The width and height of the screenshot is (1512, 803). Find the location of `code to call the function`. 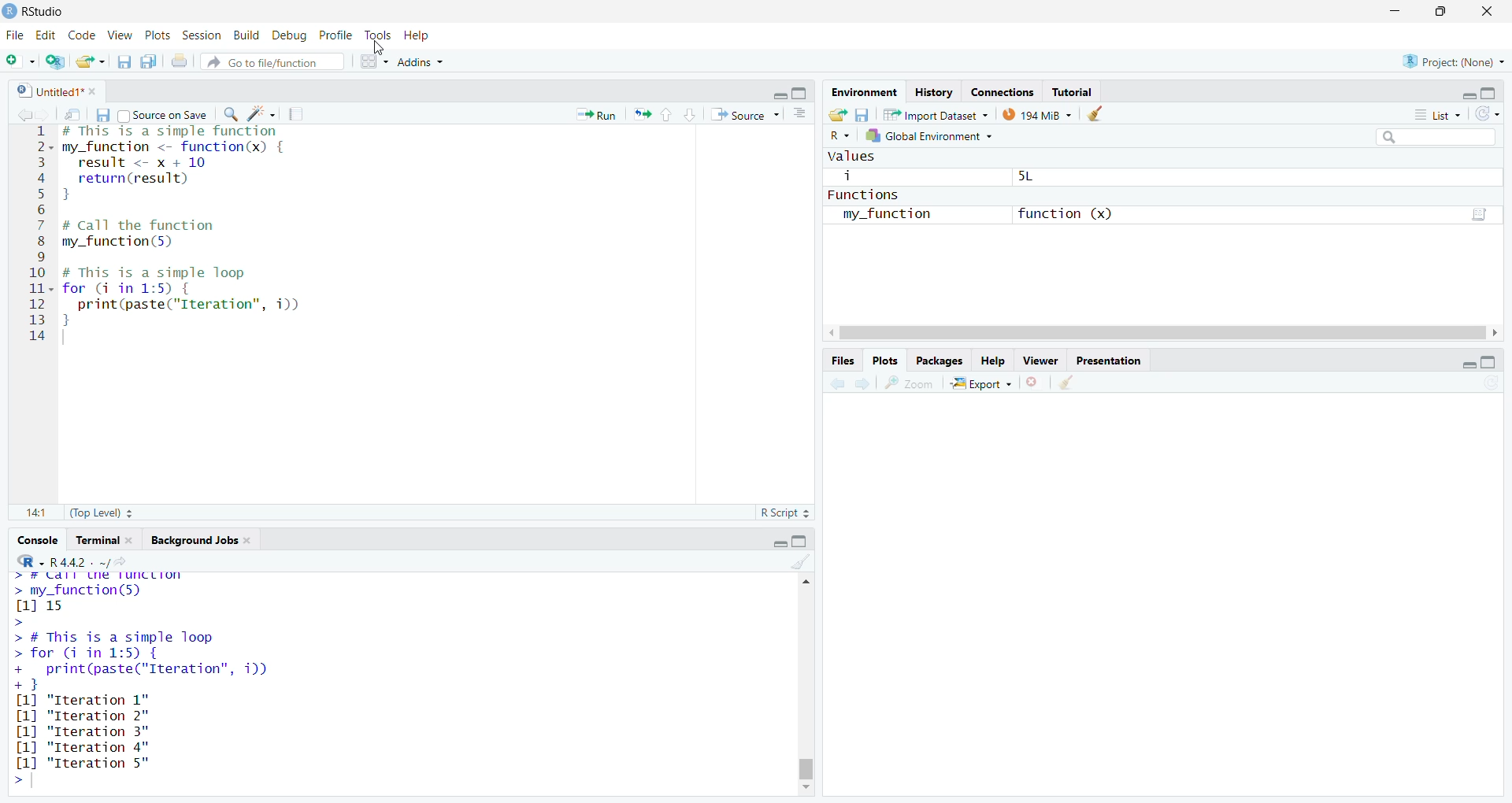

code to call the function is located at coordinates (175, 235).